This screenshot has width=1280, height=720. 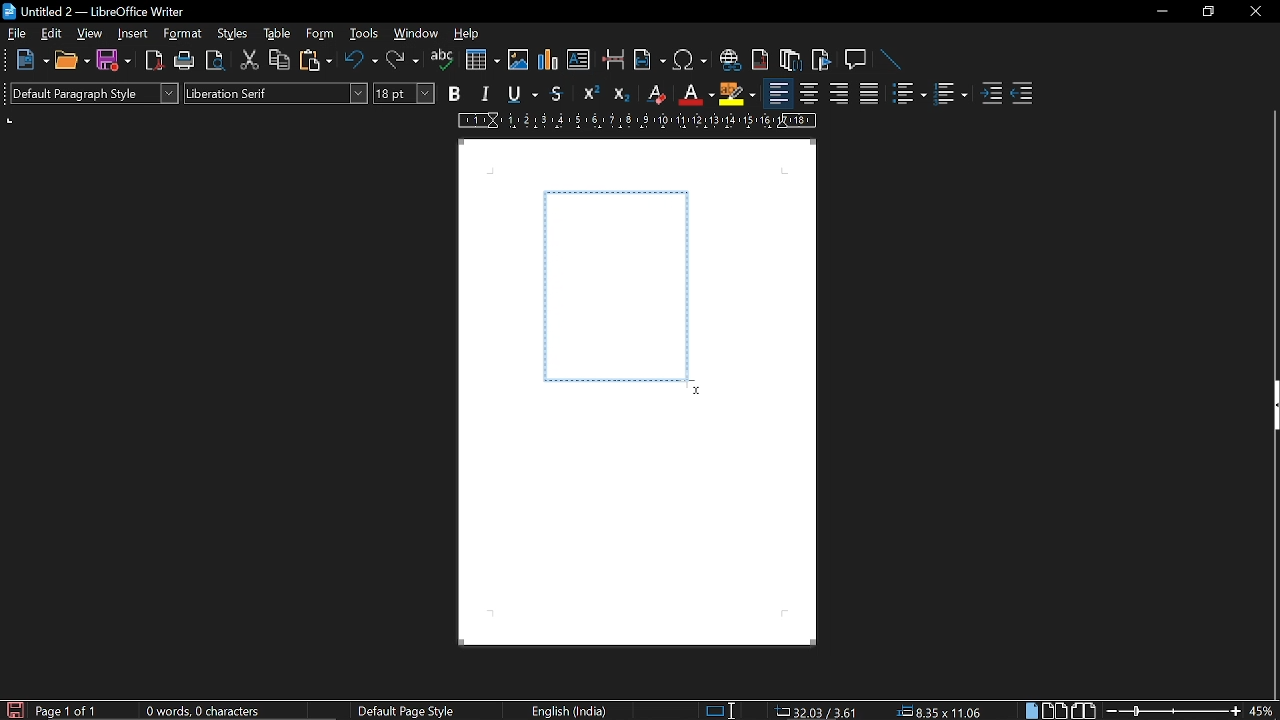 I want to click on eraser, so click(x=654, y=94).